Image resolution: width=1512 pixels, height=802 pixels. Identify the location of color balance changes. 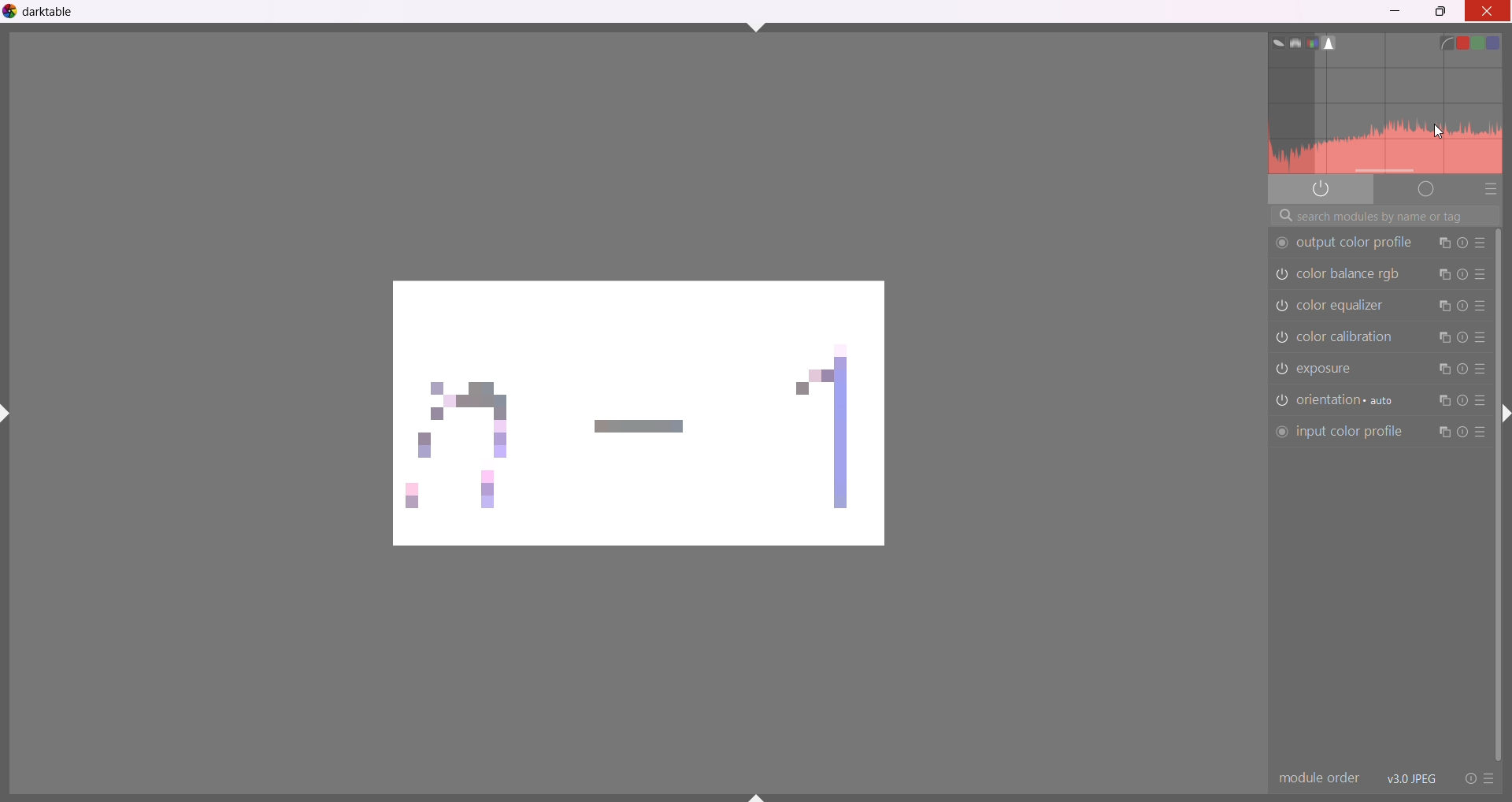
(643, 417).